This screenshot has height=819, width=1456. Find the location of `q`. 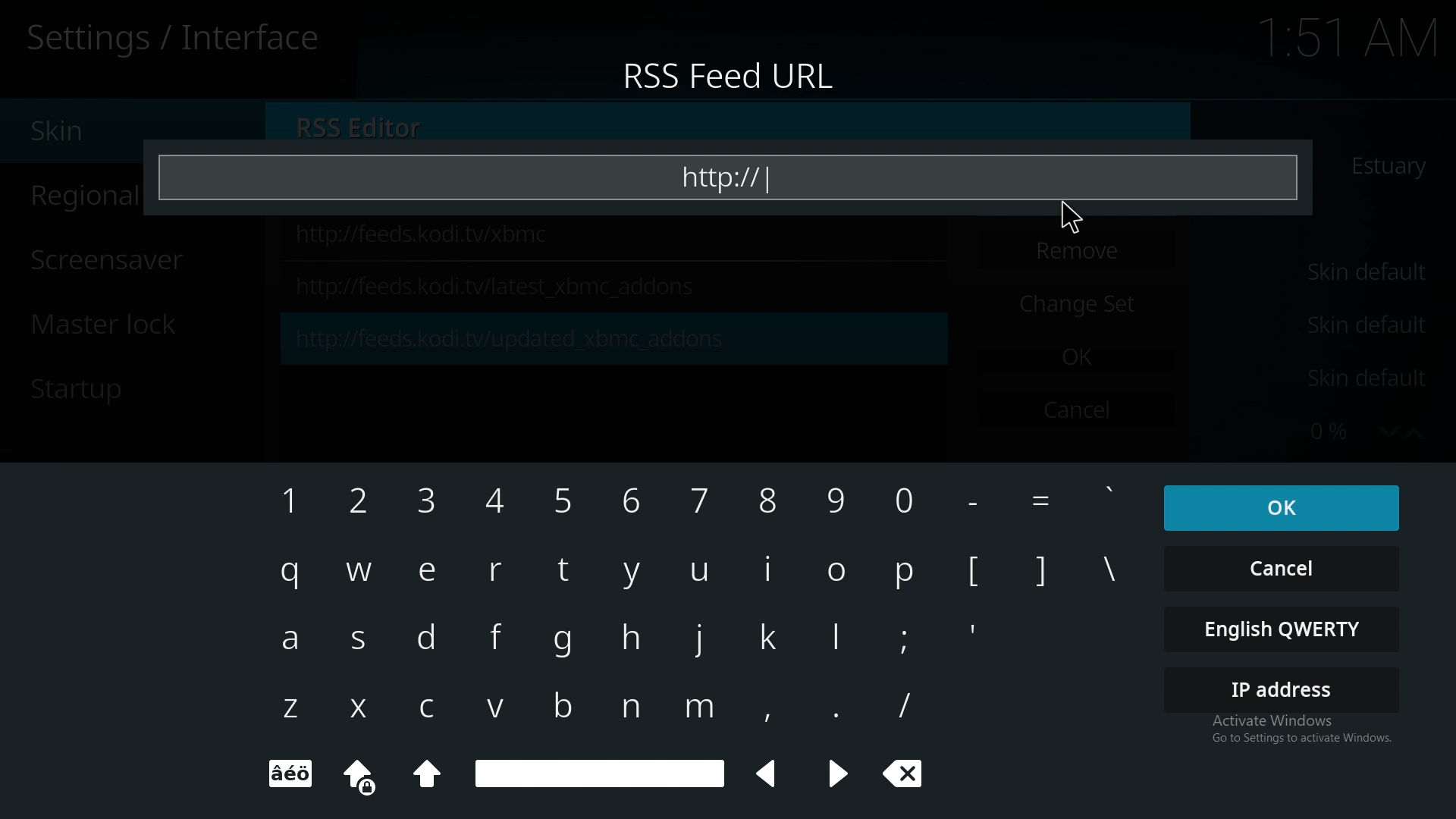

q is located at coordinates (293, 573).